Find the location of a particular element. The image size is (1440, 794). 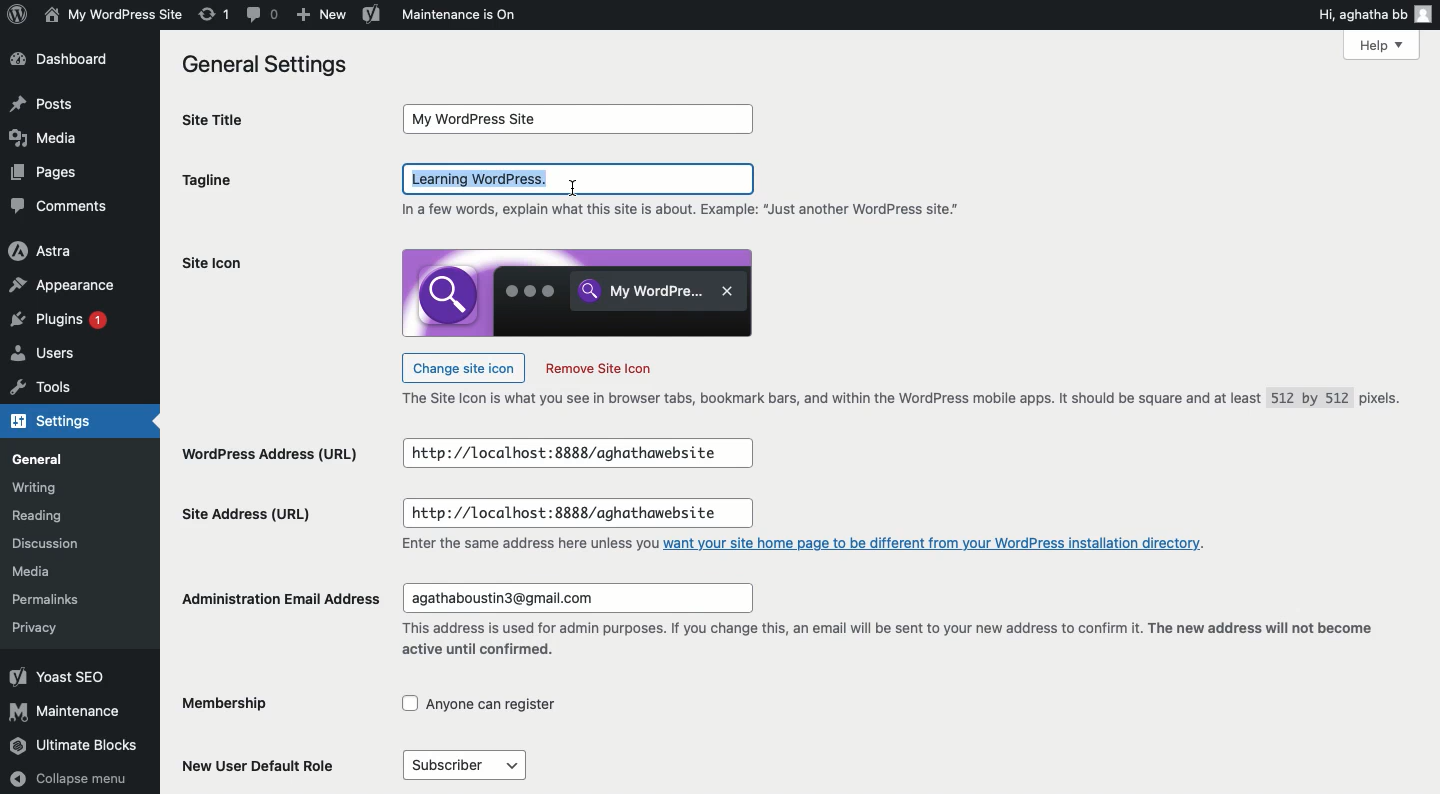

Media is located at coordinates (43, 137).